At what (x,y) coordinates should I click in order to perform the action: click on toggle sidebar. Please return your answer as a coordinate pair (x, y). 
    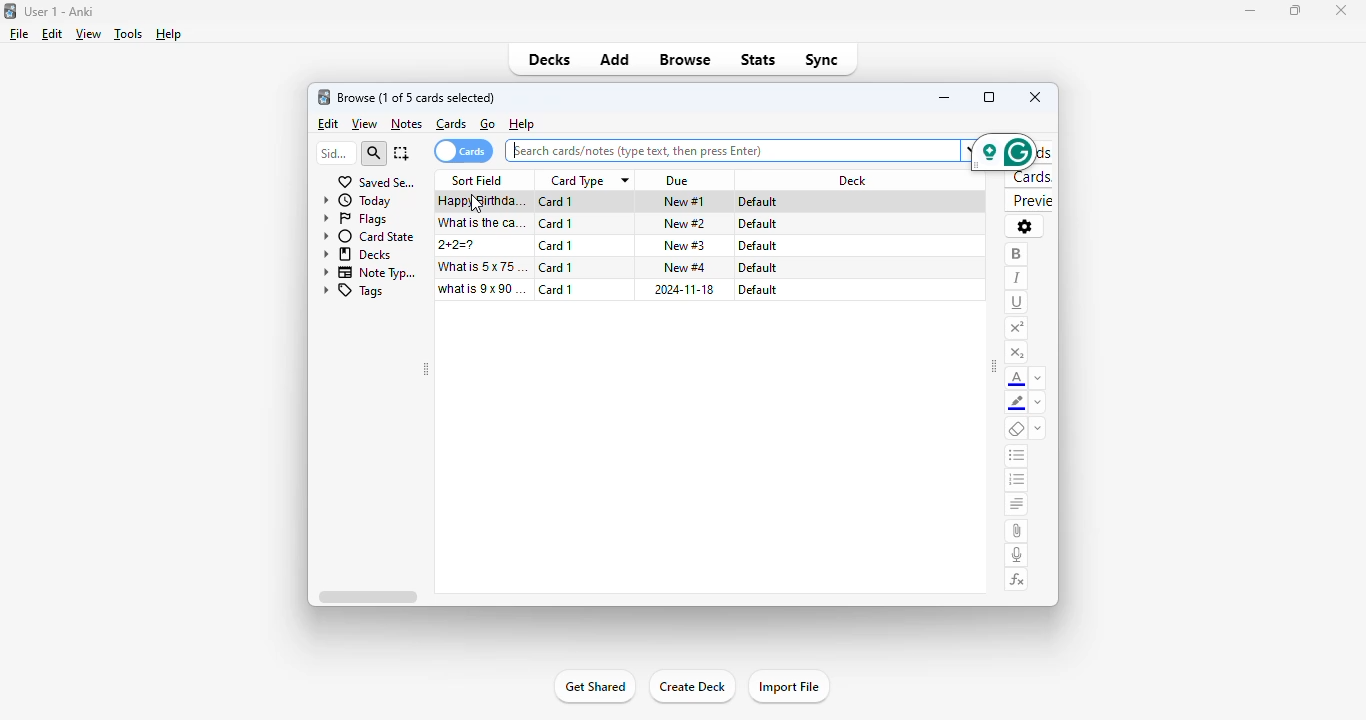
    Looking at the image, I should click on (426, 369).